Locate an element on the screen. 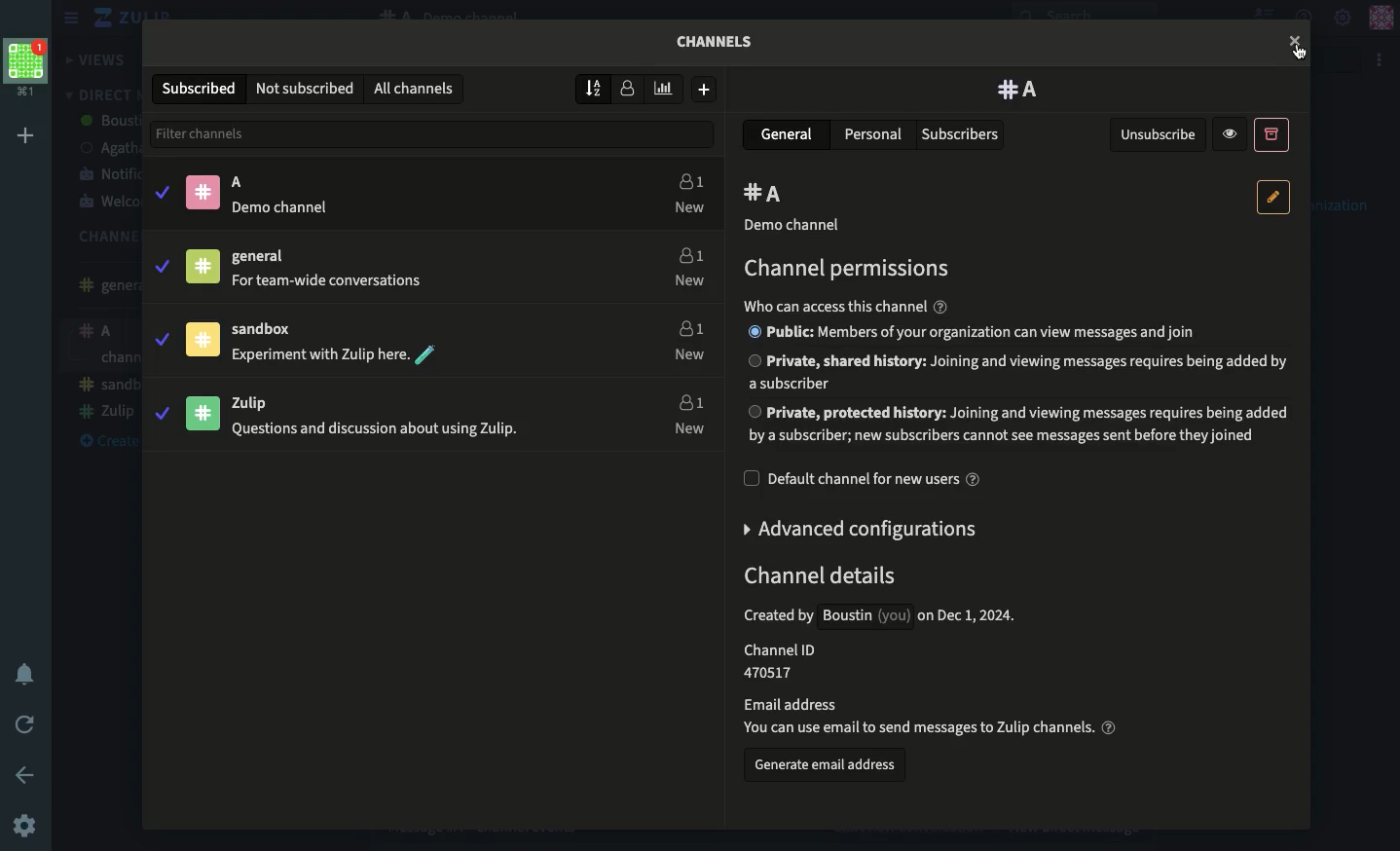 This screenshot has width=1400, height=851. Notification bot is located at coordinates (107, 173).